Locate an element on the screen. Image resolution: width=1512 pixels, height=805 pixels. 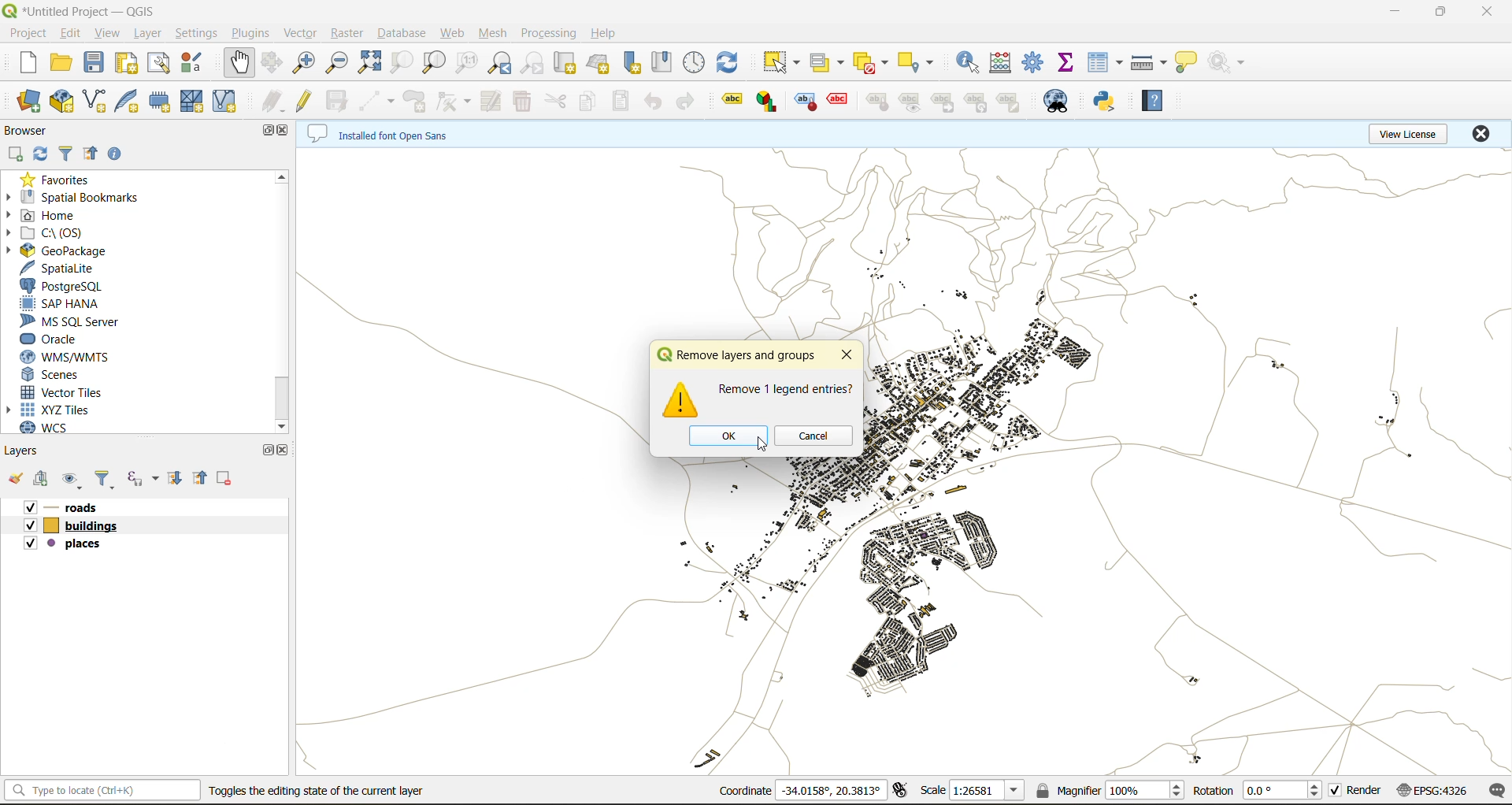
cancel is located at coordinates (817, 437).